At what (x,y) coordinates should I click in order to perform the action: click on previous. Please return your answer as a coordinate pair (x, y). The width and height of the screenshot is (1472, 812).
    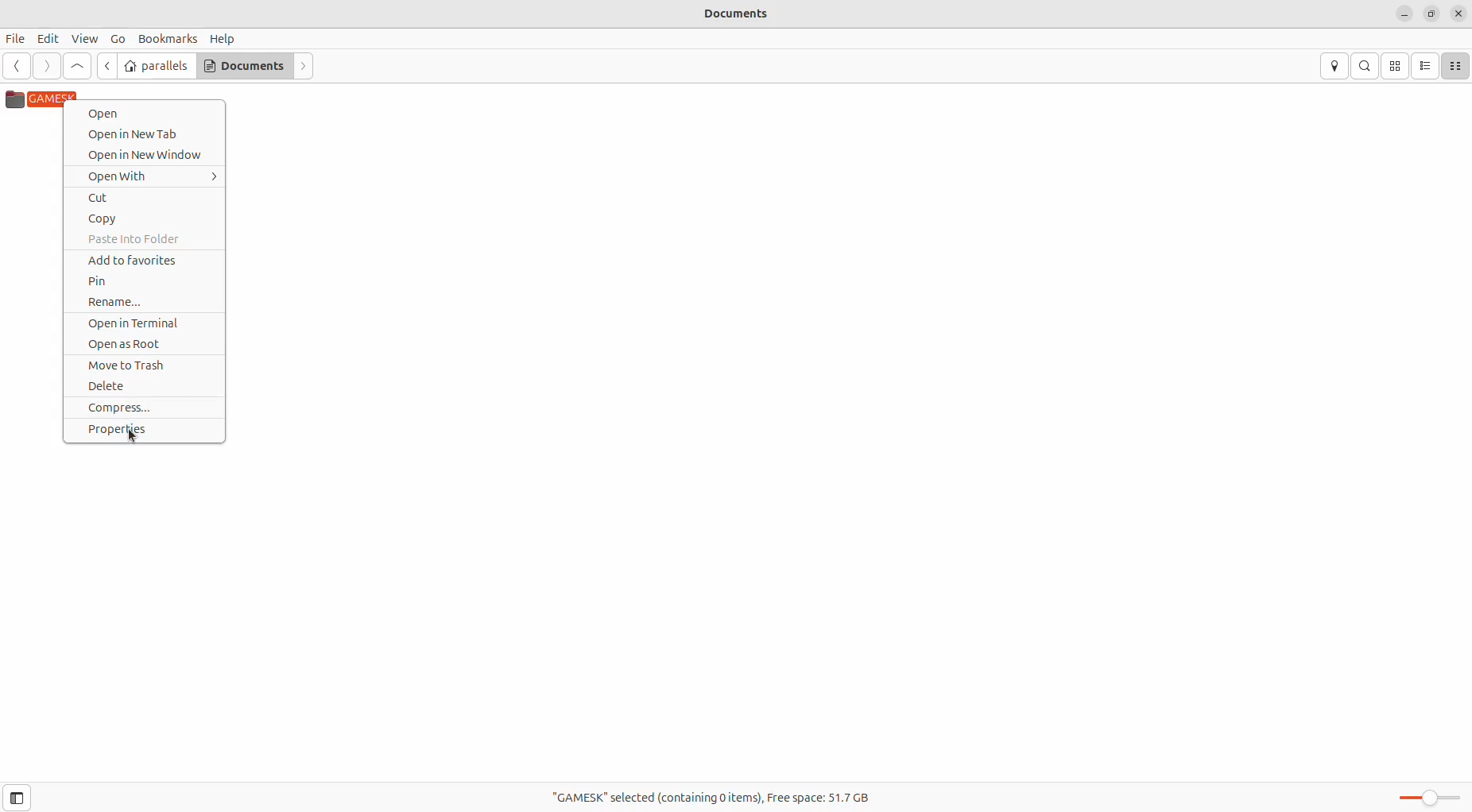
    Looking at the image, I should click on (17, 65).